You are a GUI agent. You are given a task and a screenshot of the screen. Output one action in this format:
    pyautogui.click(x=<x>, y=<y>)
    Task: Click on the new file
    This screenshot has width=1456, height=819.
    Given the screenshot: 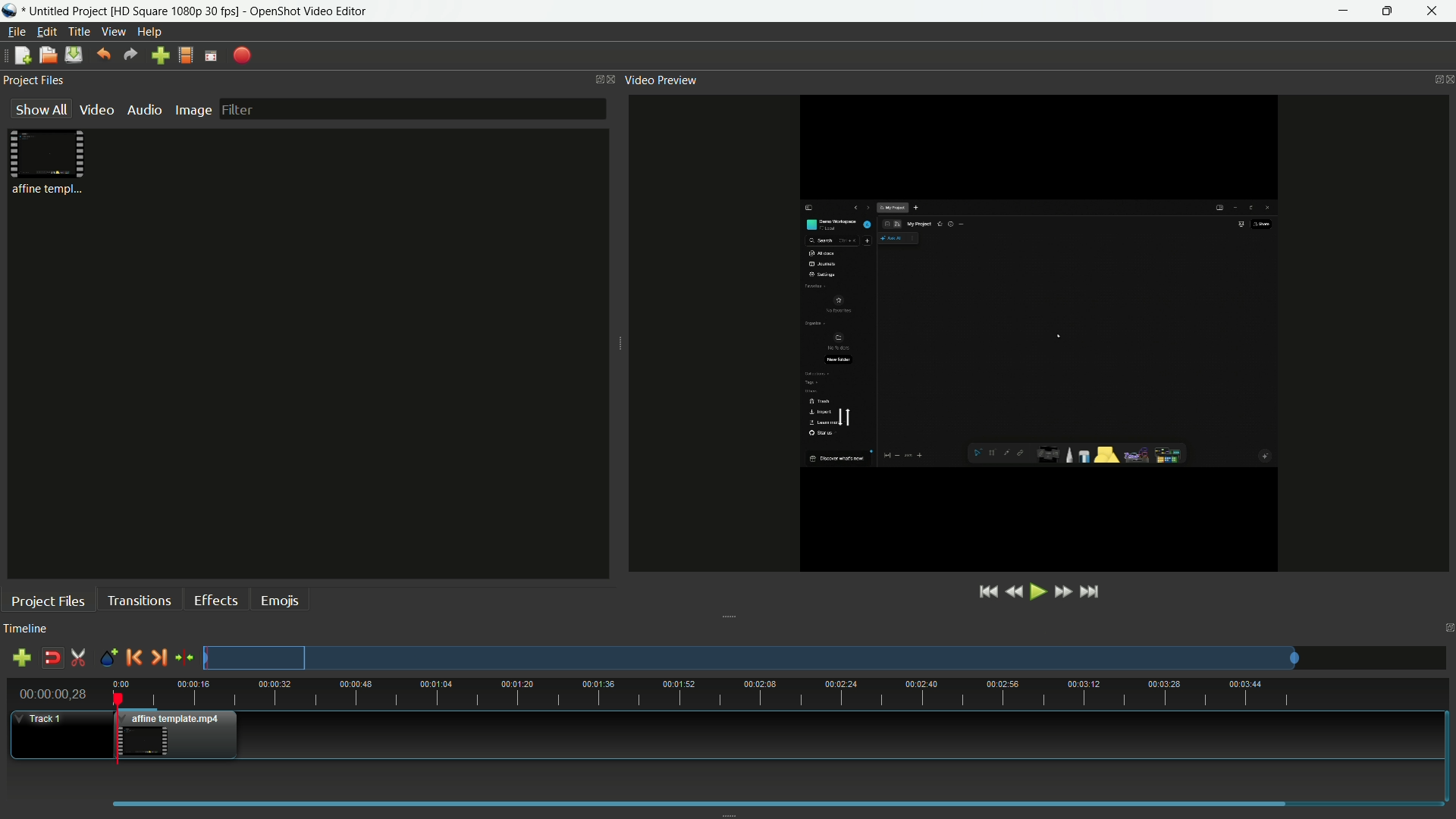 What is the action you would take?
    pyautogui.click(x=20, y=56)
    